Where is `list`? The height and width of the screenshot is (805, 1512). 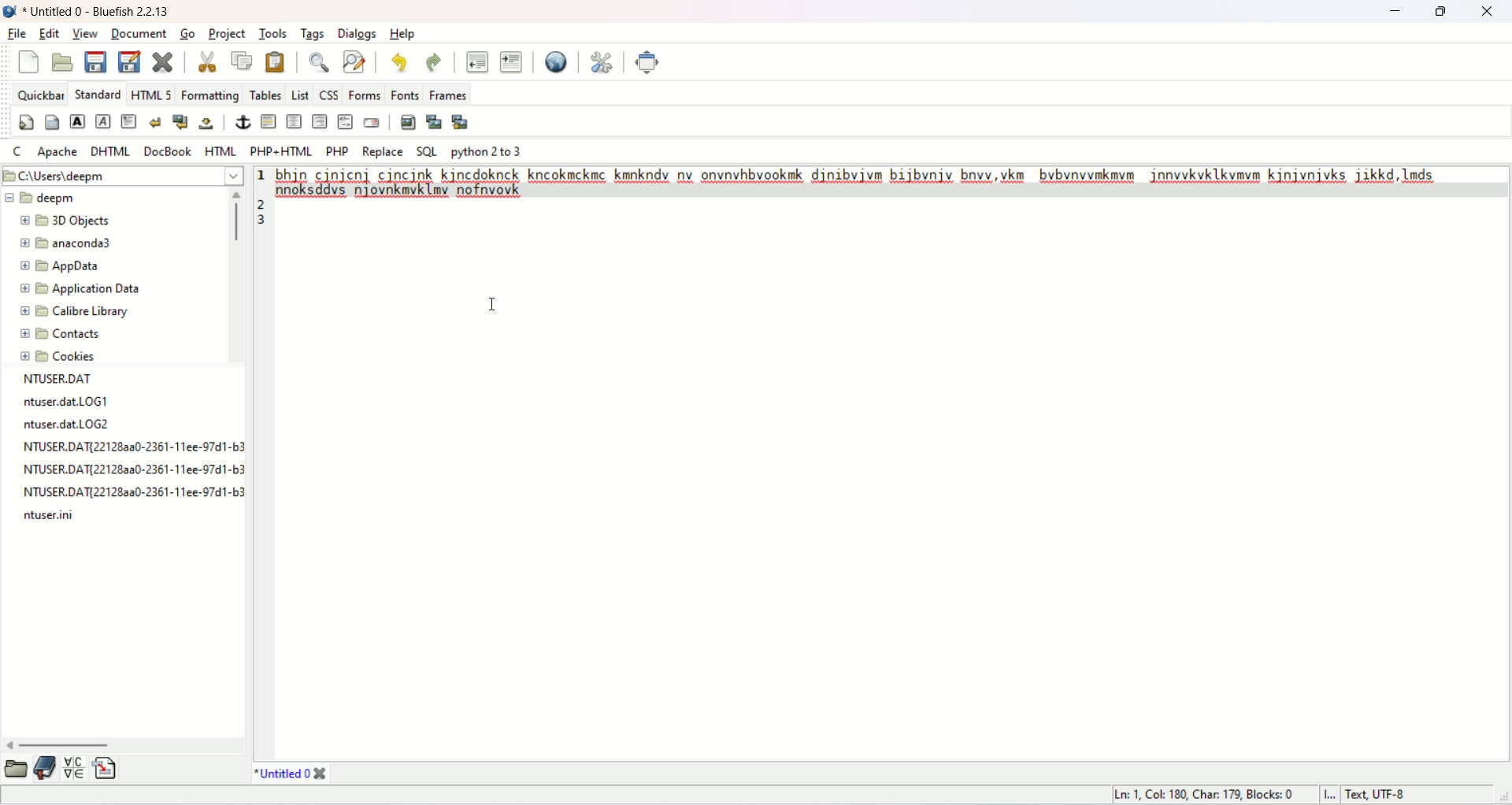 list is located at coordinates (302, 92).